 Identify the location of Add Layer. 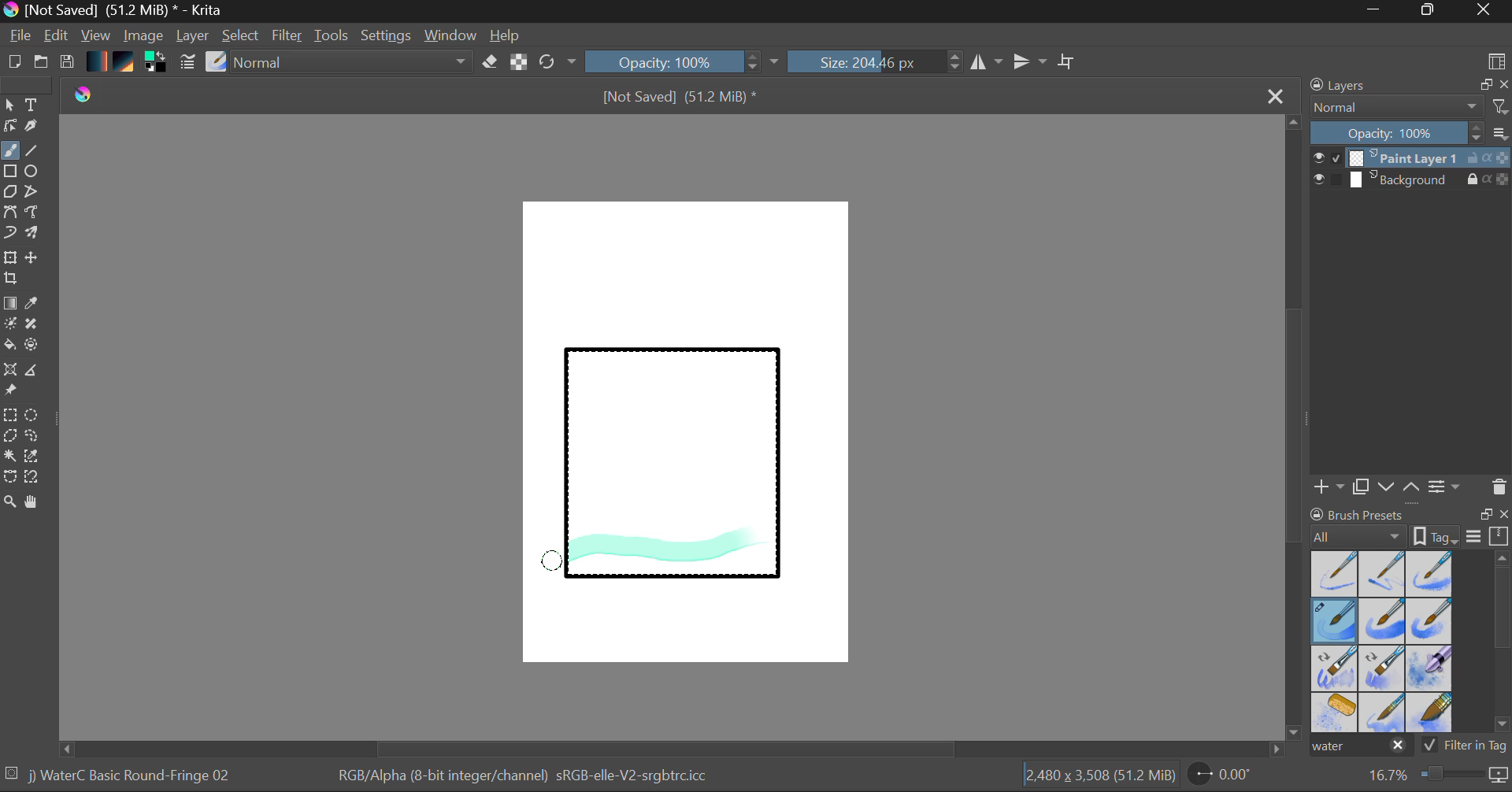
(1329, 487).